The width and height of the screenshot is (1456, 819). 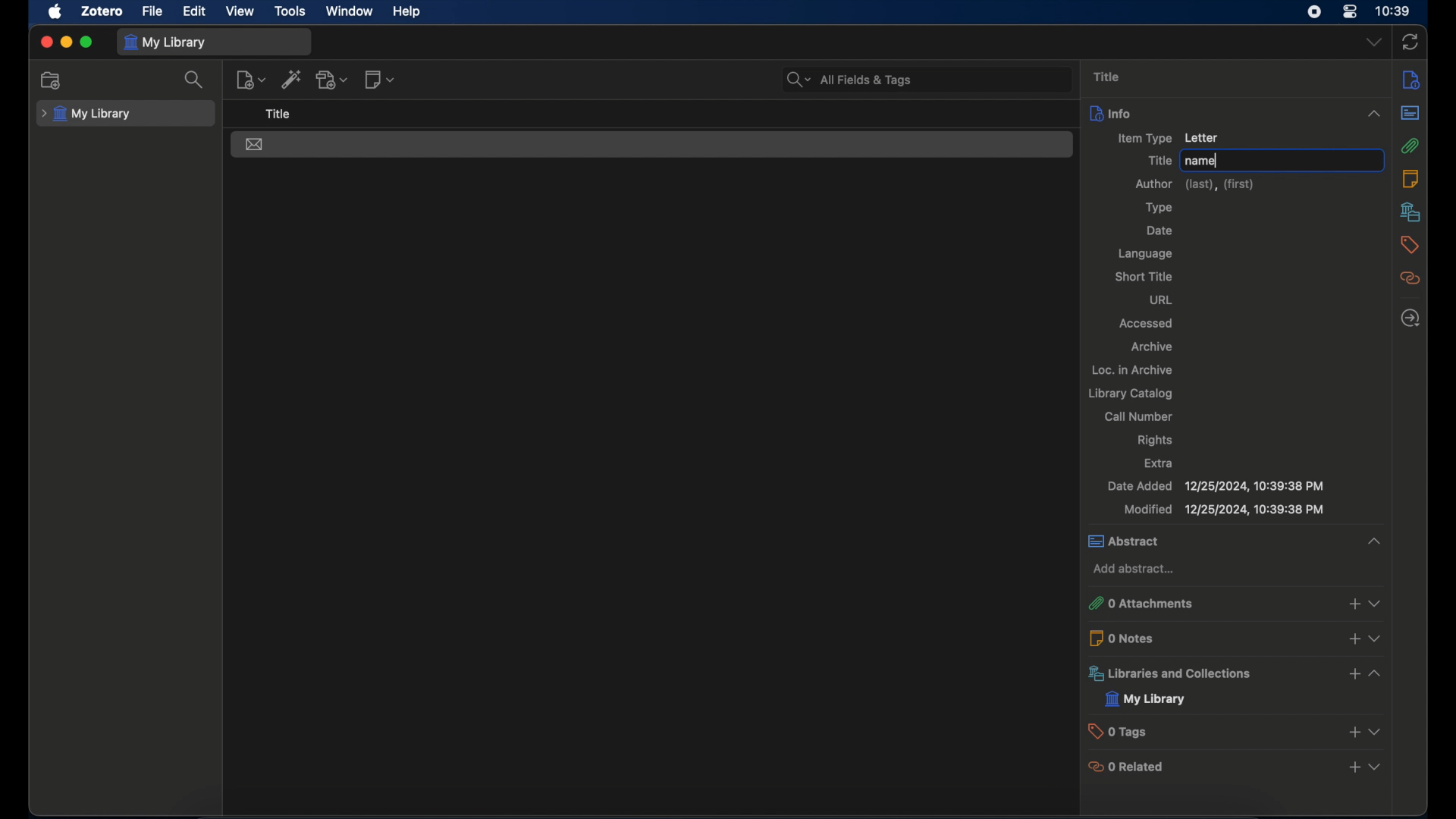 What do you see at coordinates (291, 80) in the screenshot?
I see `add item by identifier` at bounding box center [291, 80].